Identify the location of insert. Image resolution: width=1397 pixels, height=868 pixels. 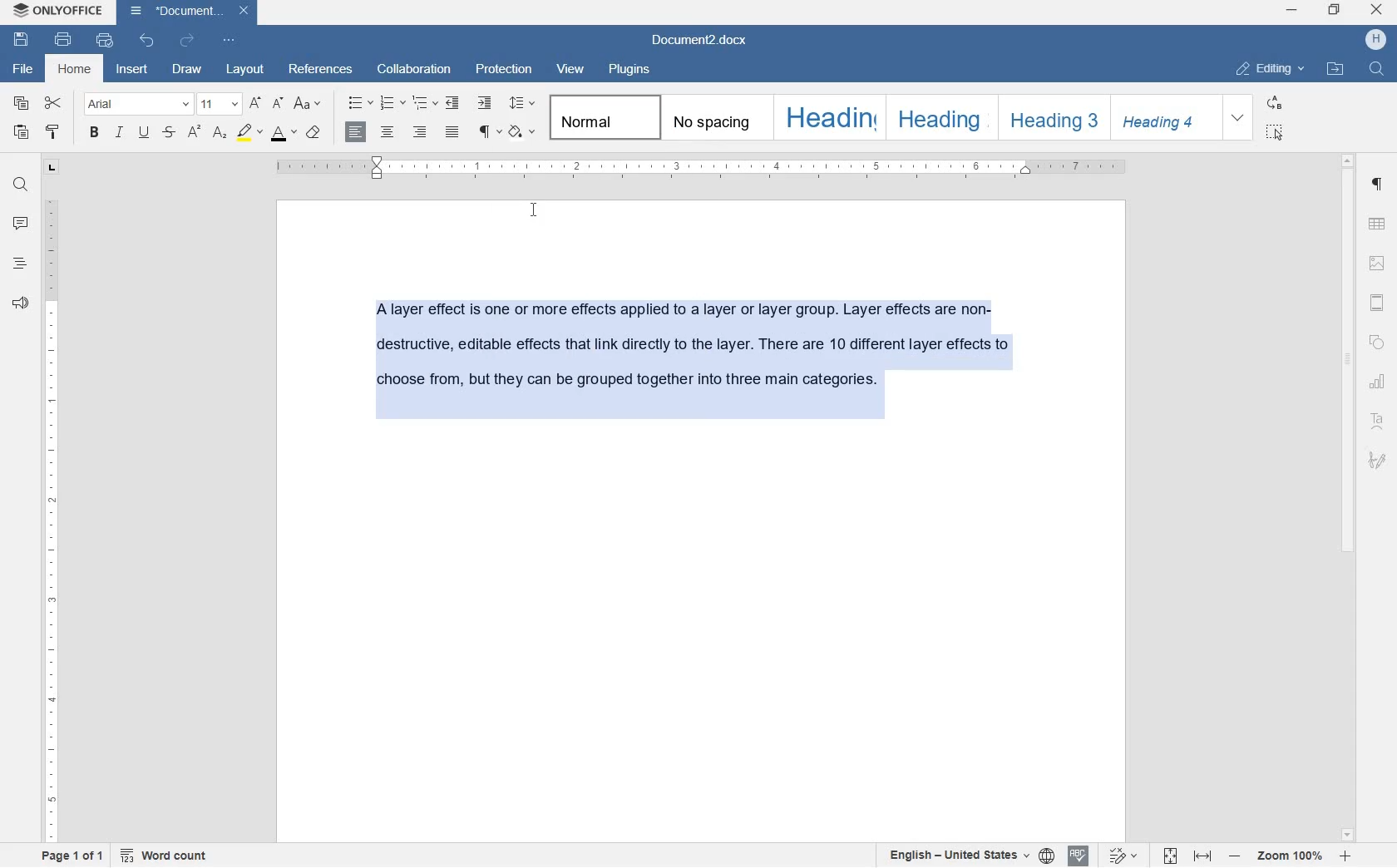
(133, 69).